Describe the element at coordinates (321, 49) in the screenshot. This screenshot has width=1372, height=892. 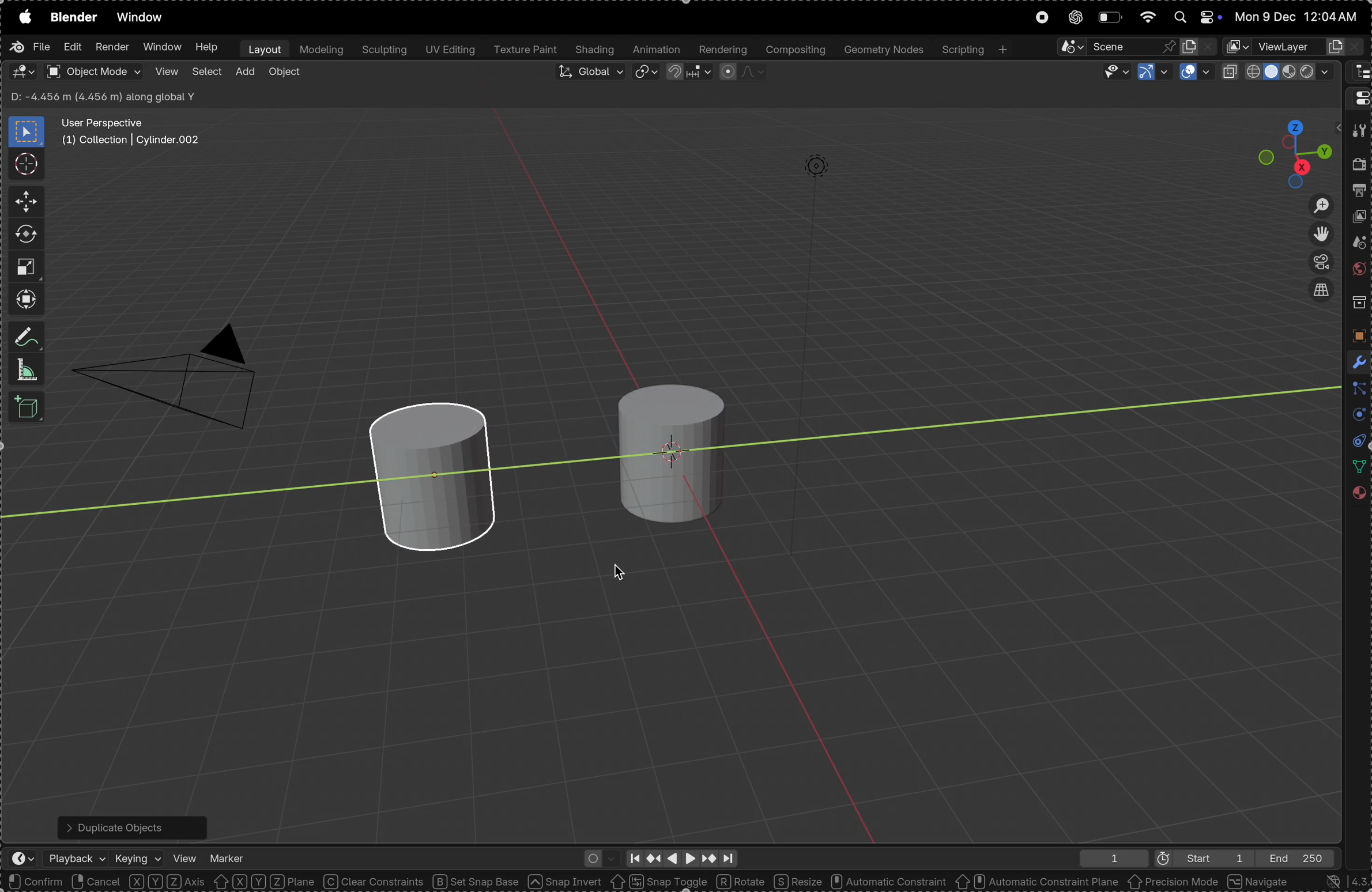
I see `modelling` at that location.